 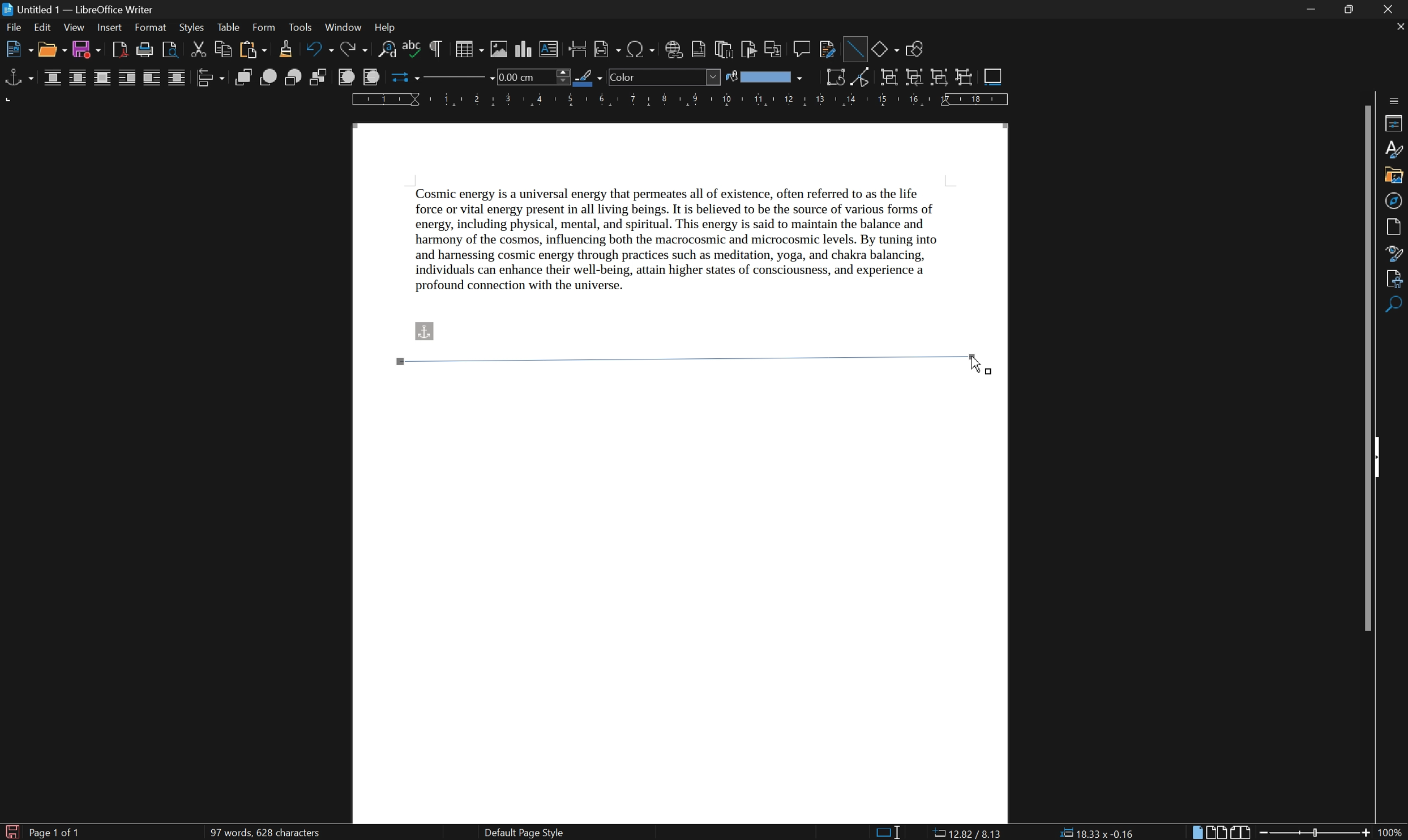 I want to click on find, so click(x=1396, y=331).